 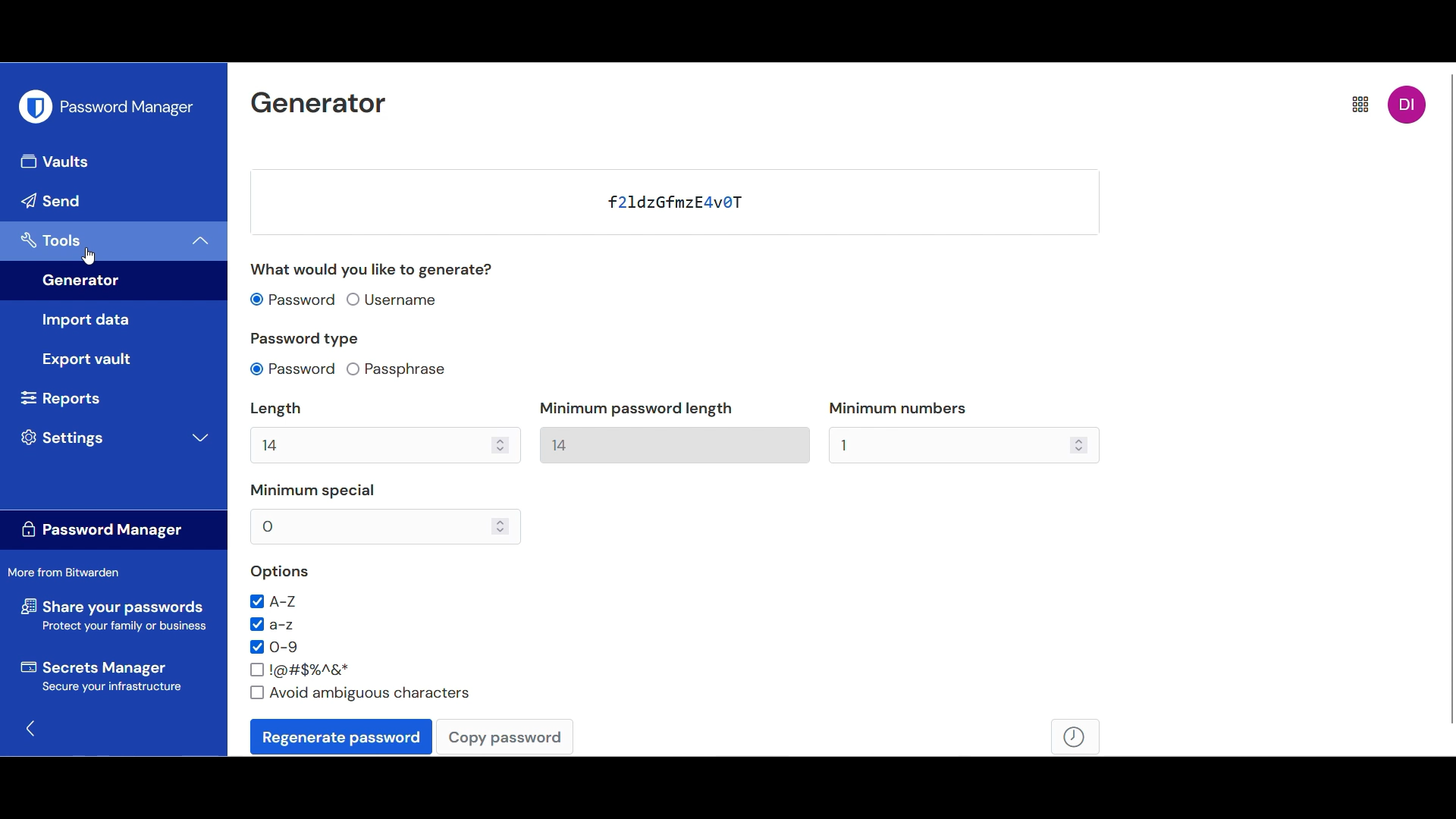 I want to click on Page title - Generator, so click(x=320, y=104).